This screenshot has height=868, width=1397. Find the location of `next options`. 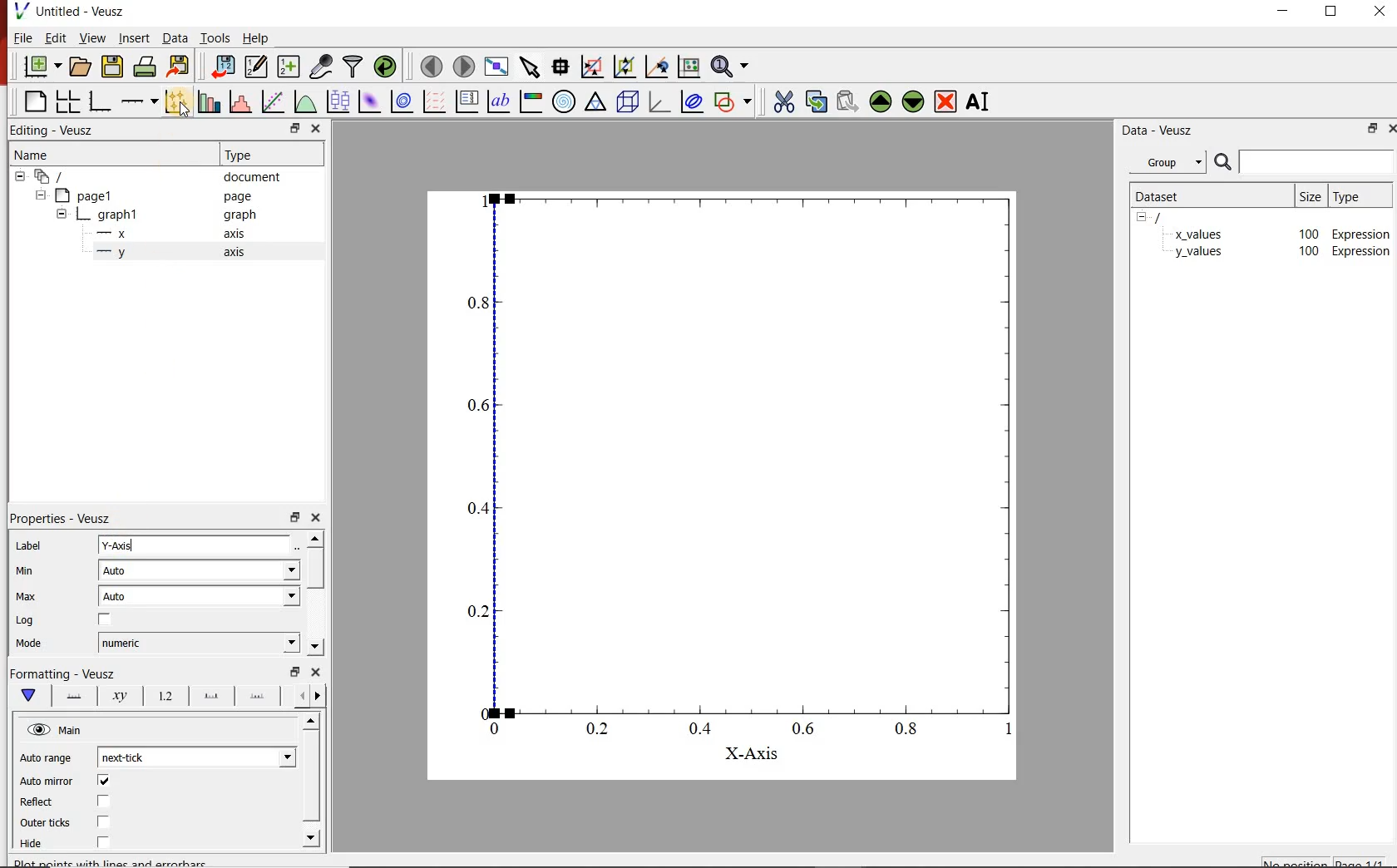

next options is located at coordinates (300, 696).